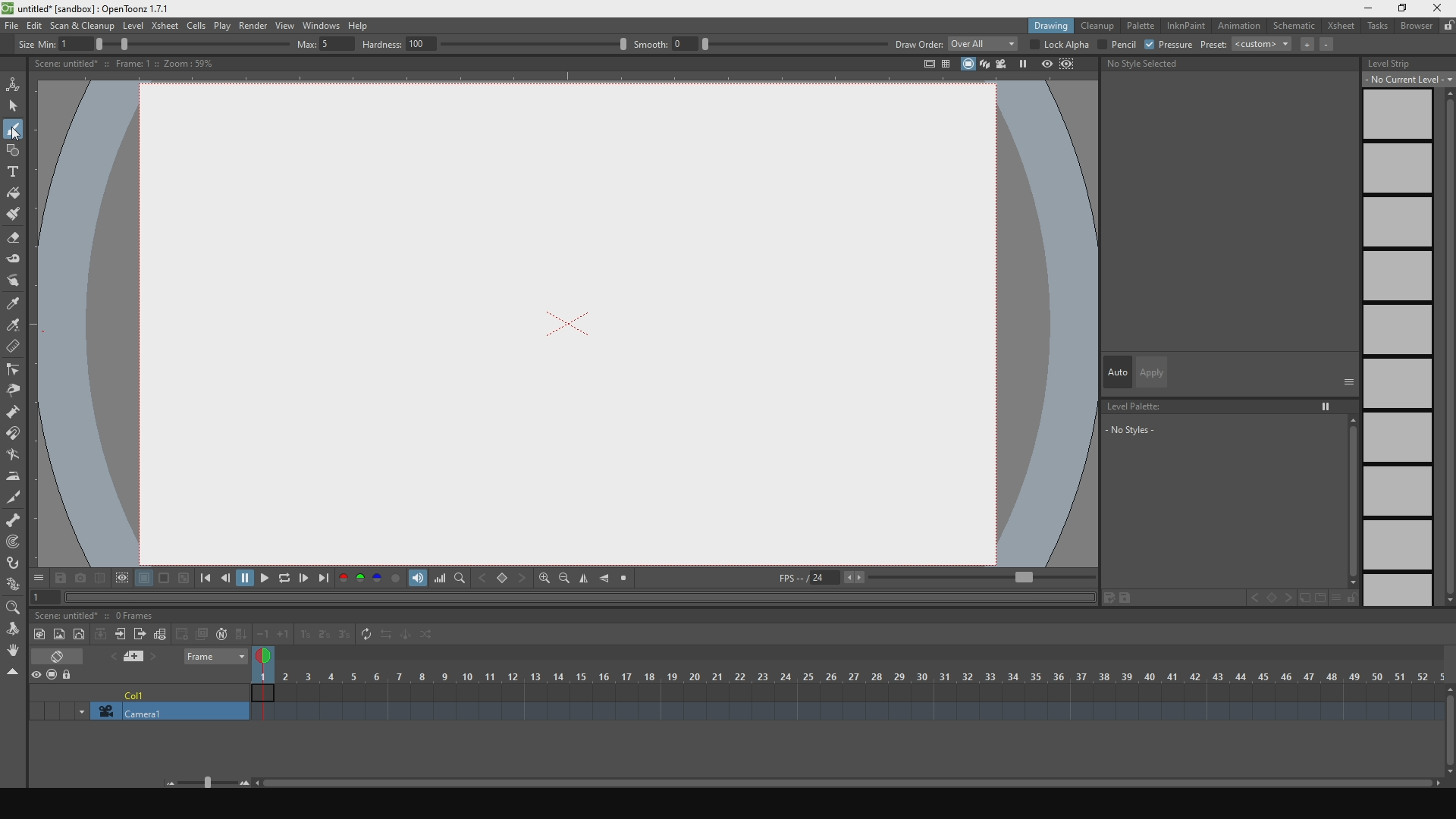  What do you see at coordinates (937, 578) in the screenshot?
I see `fps` at bounding box center [937, 578].